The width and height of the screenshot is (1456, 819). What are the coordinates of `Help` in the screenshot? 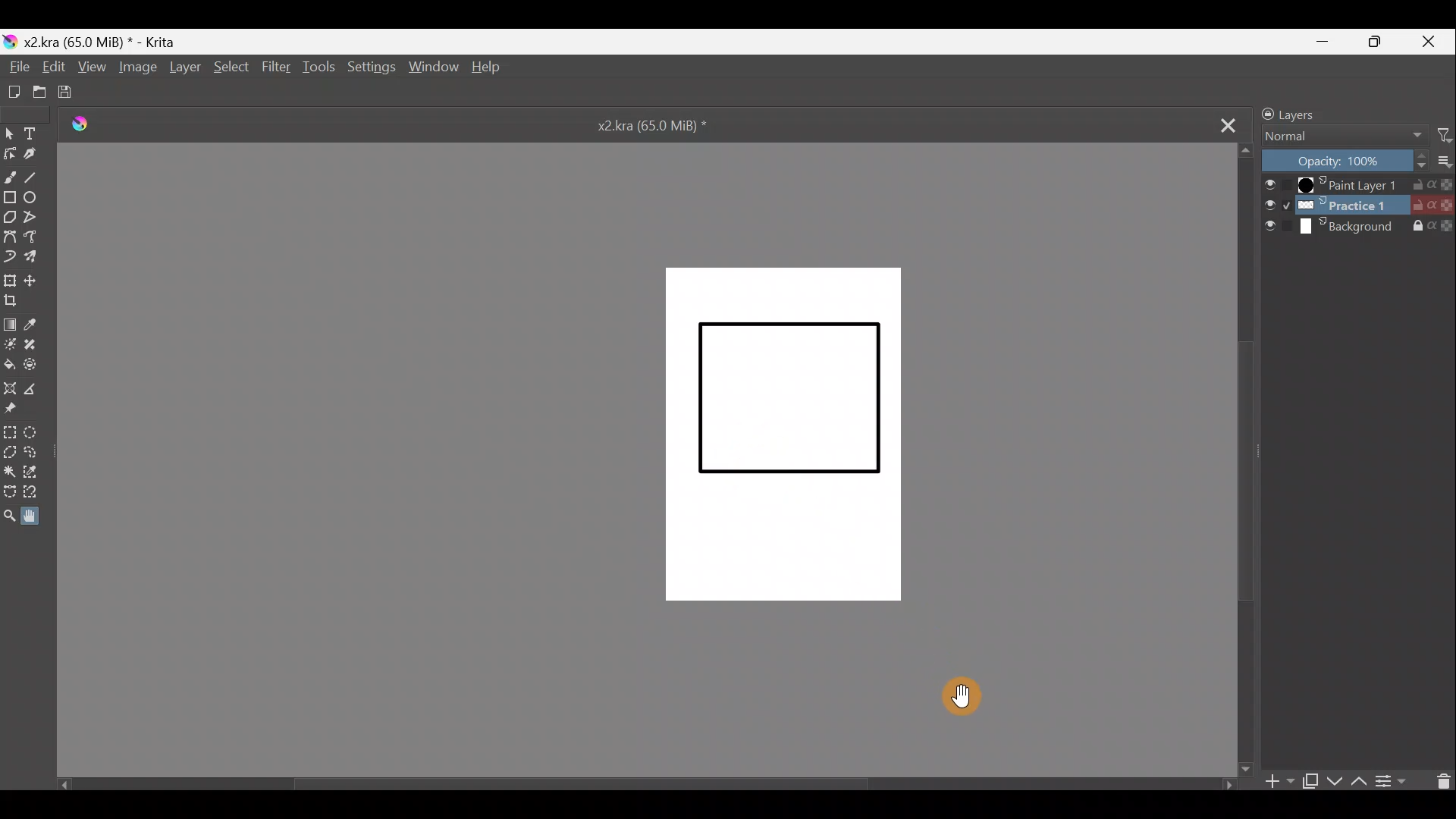 It's located at (492, 68).